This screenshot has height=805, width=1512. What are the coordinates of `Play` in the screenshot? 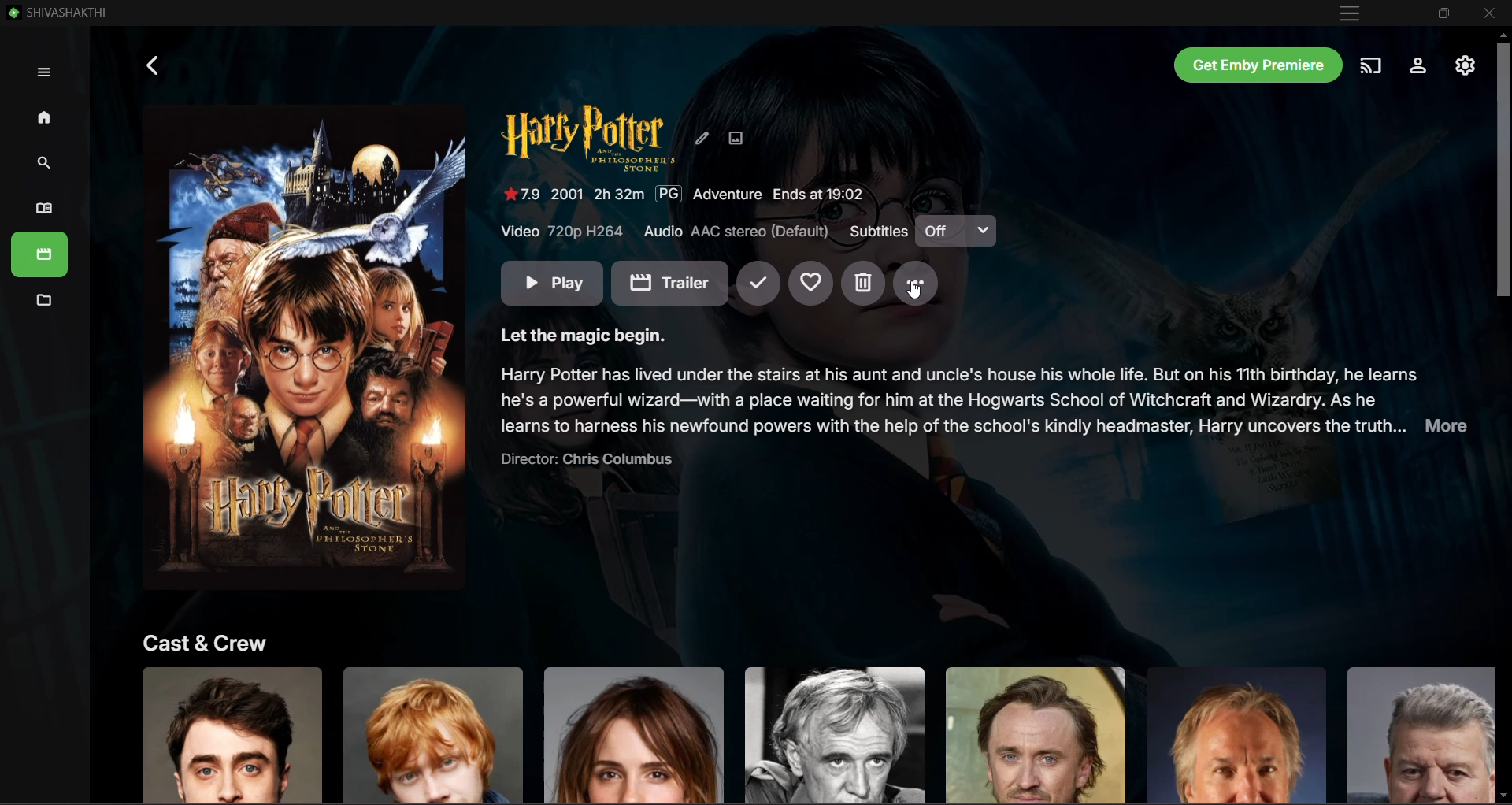 It's located at (552, 283).